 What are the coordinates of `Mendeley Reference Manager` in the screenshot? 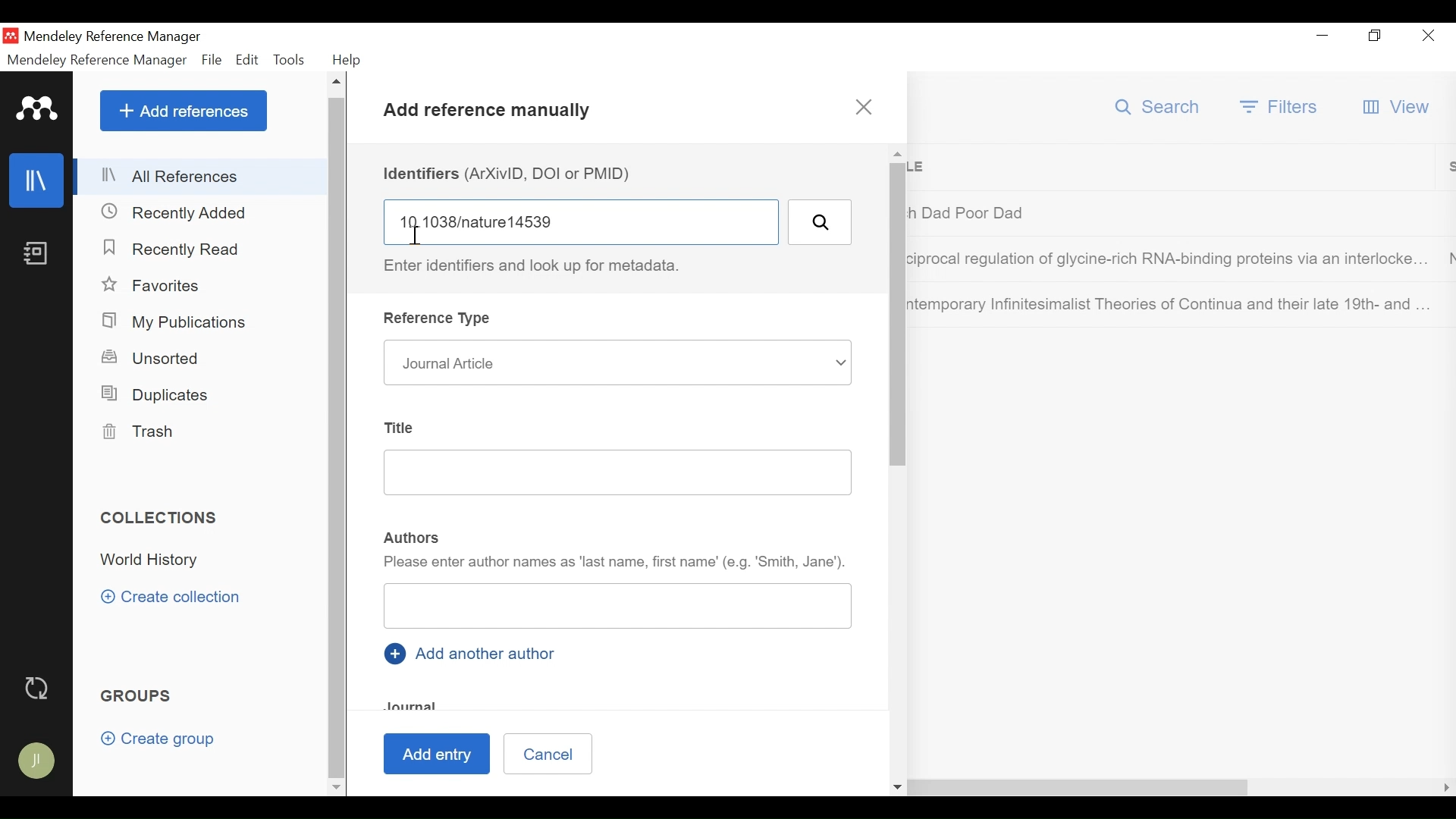 It's located at (115, 36).